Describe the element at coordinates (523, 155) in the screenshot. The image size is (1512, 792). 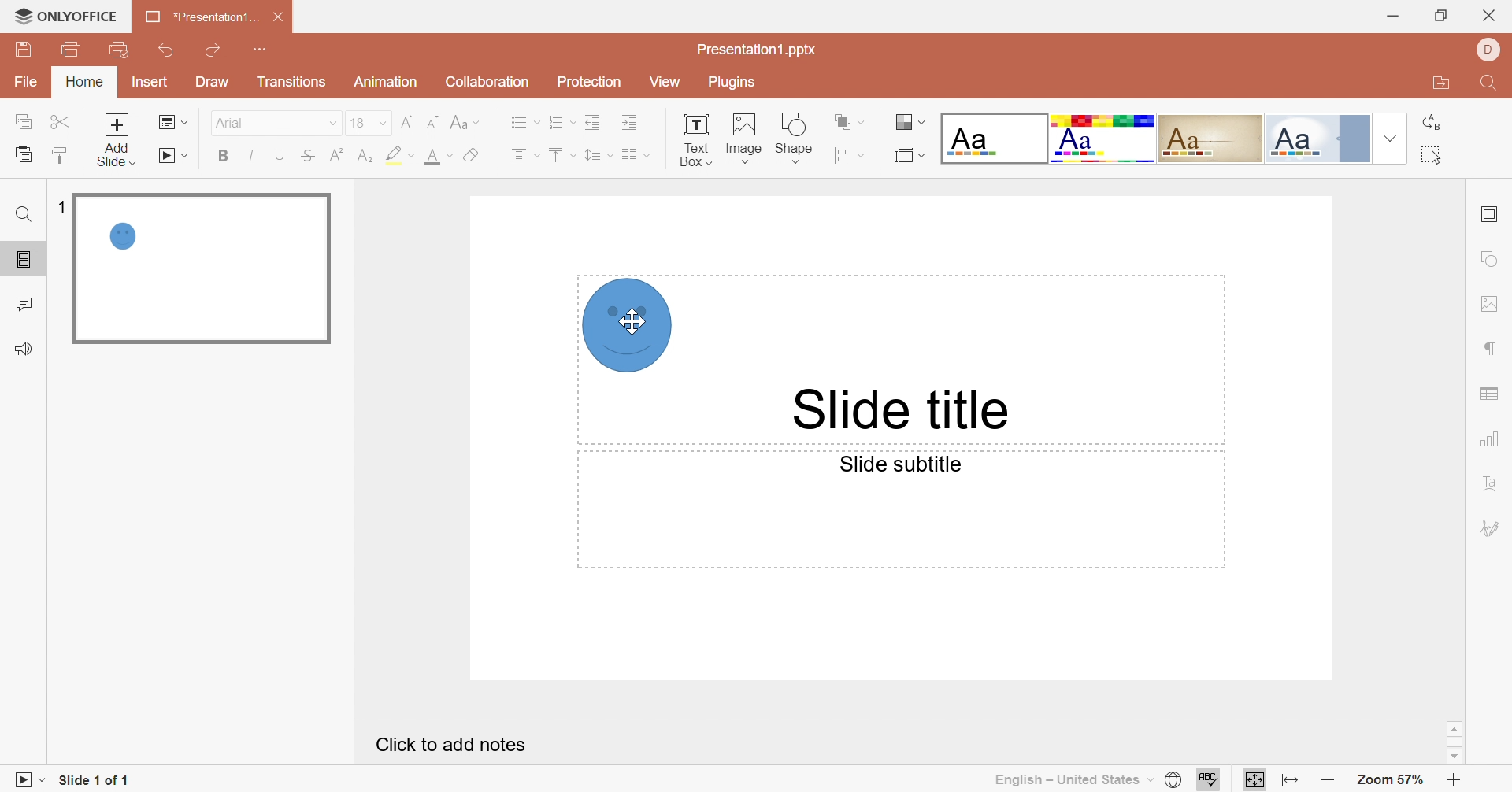
I see `Align center` at that location.